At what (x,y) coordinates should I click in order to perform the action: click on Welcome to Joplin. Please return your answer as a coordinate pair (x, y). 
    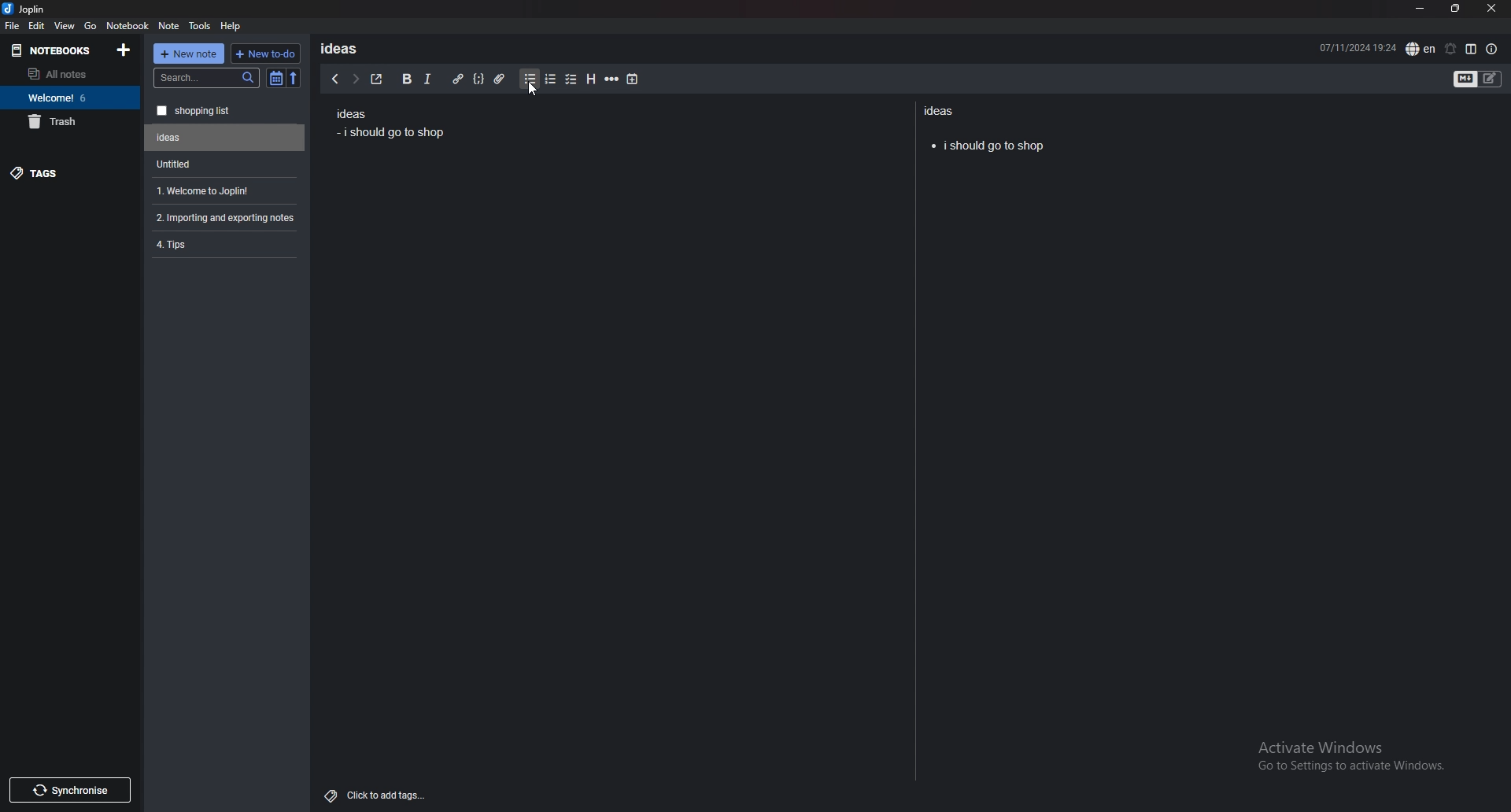
    Looking at the image, I should click on (222, 190).